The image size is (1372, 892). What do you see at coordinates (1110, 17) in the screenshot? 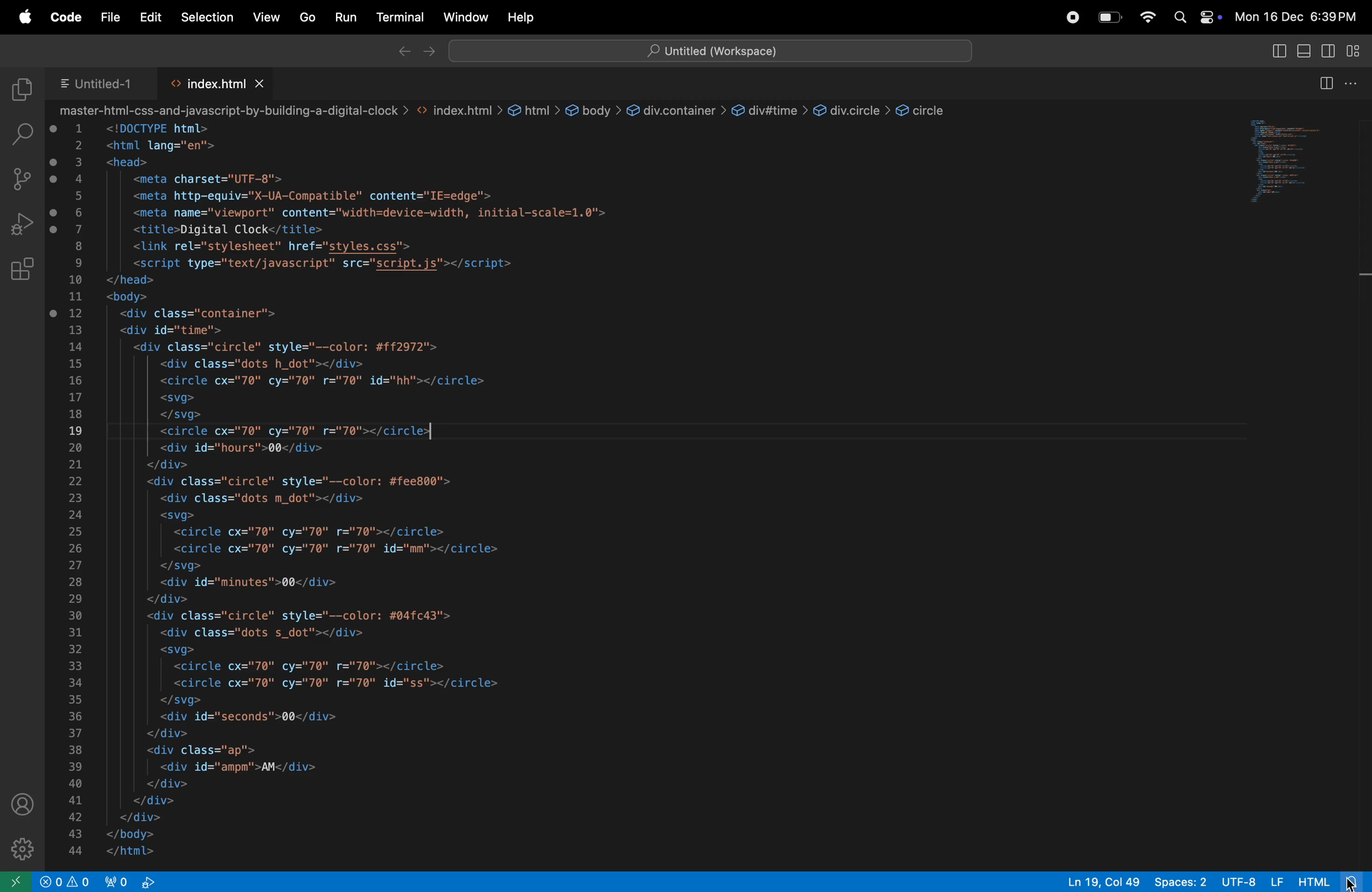
I see `battery` at bounding box center [1110, 17].